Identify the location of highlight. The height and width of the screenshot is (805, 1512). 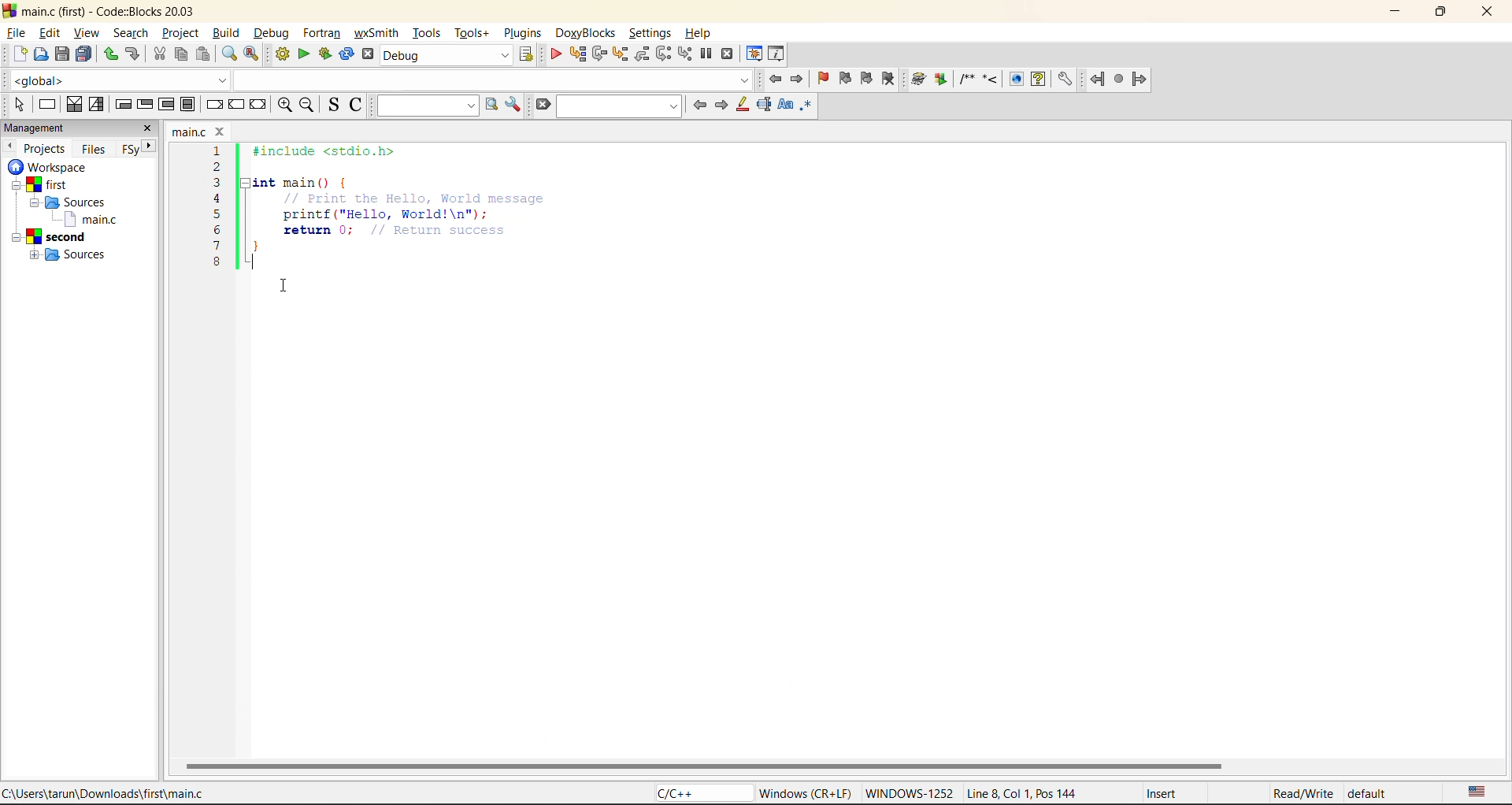
(743, 104).